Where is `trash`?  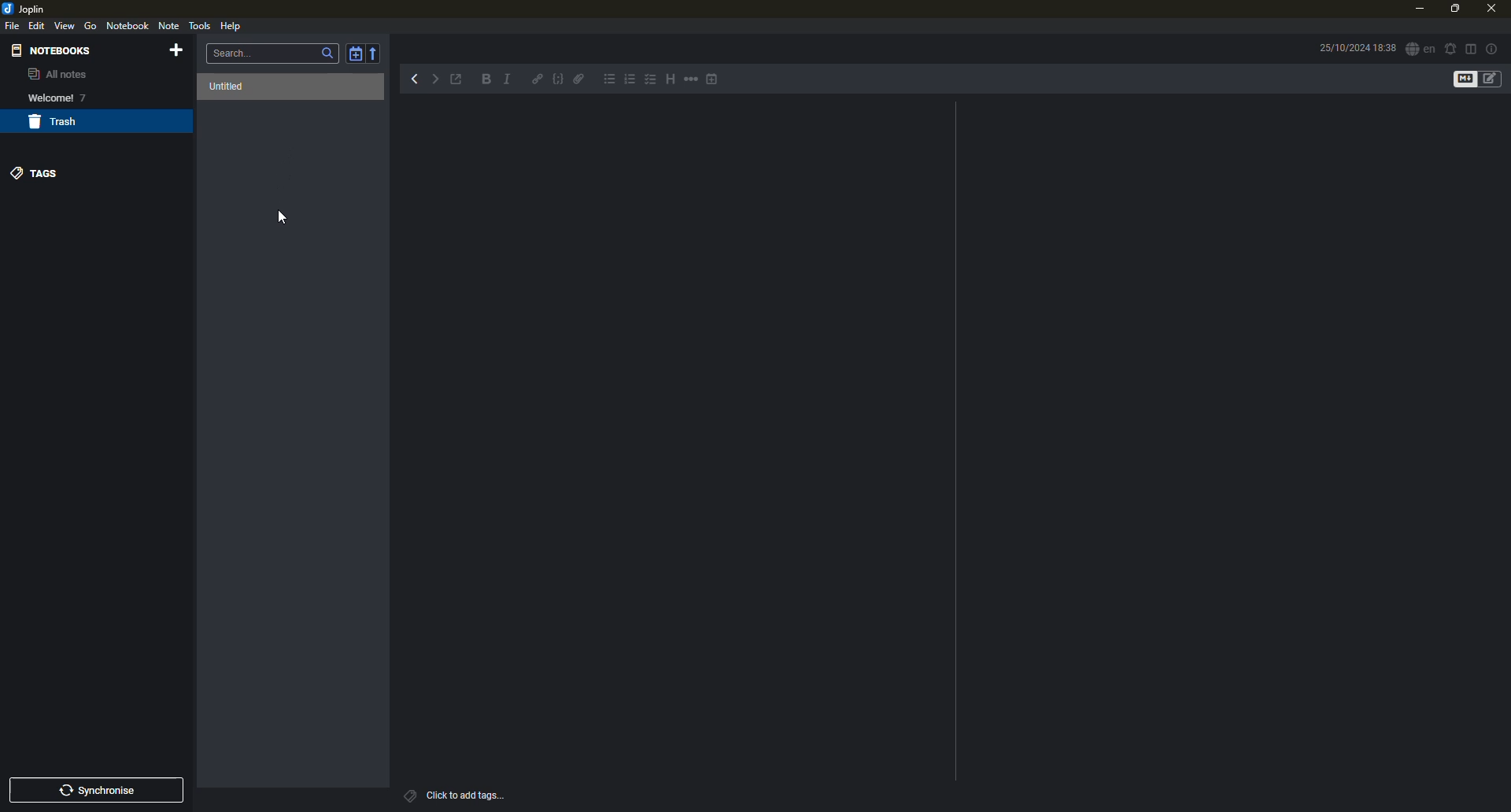
trash is located at coordinates (57, 123).